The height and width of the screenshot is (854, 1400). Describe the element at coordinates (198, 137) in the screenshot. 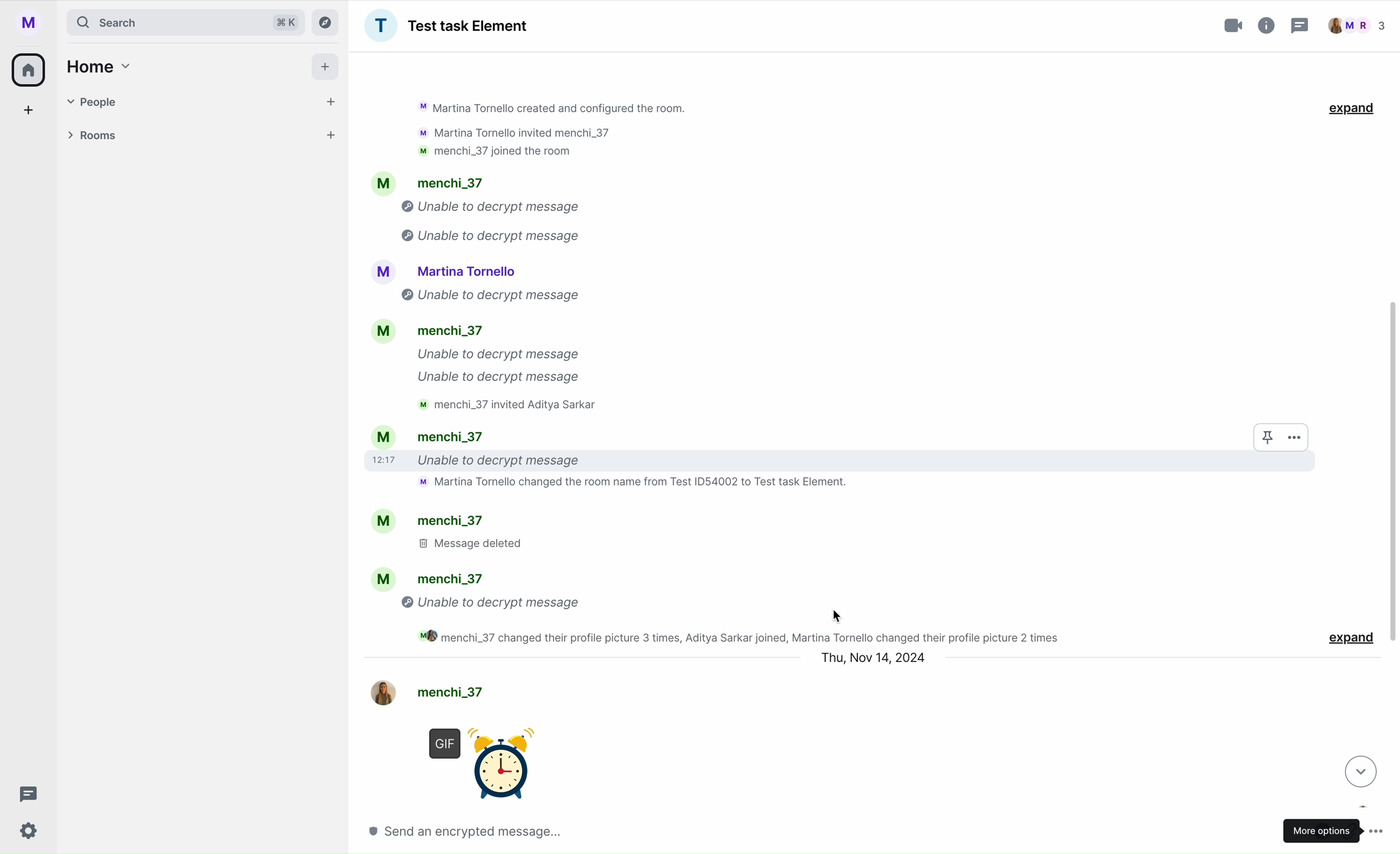

I see `rooms tab` at that location.